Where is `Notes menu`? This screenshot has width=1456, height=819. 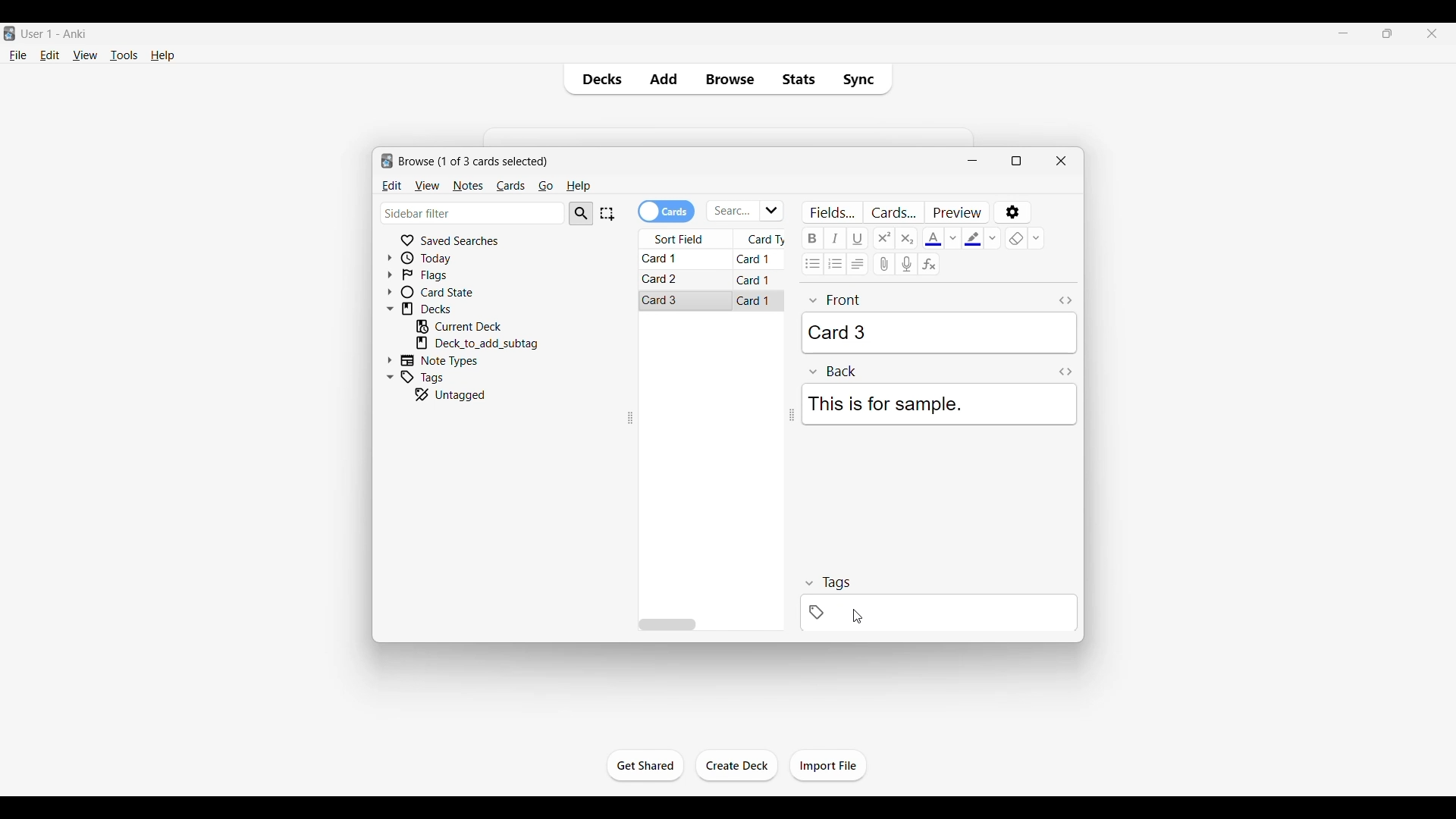
Notes menu is located at coordinates (468, 187).